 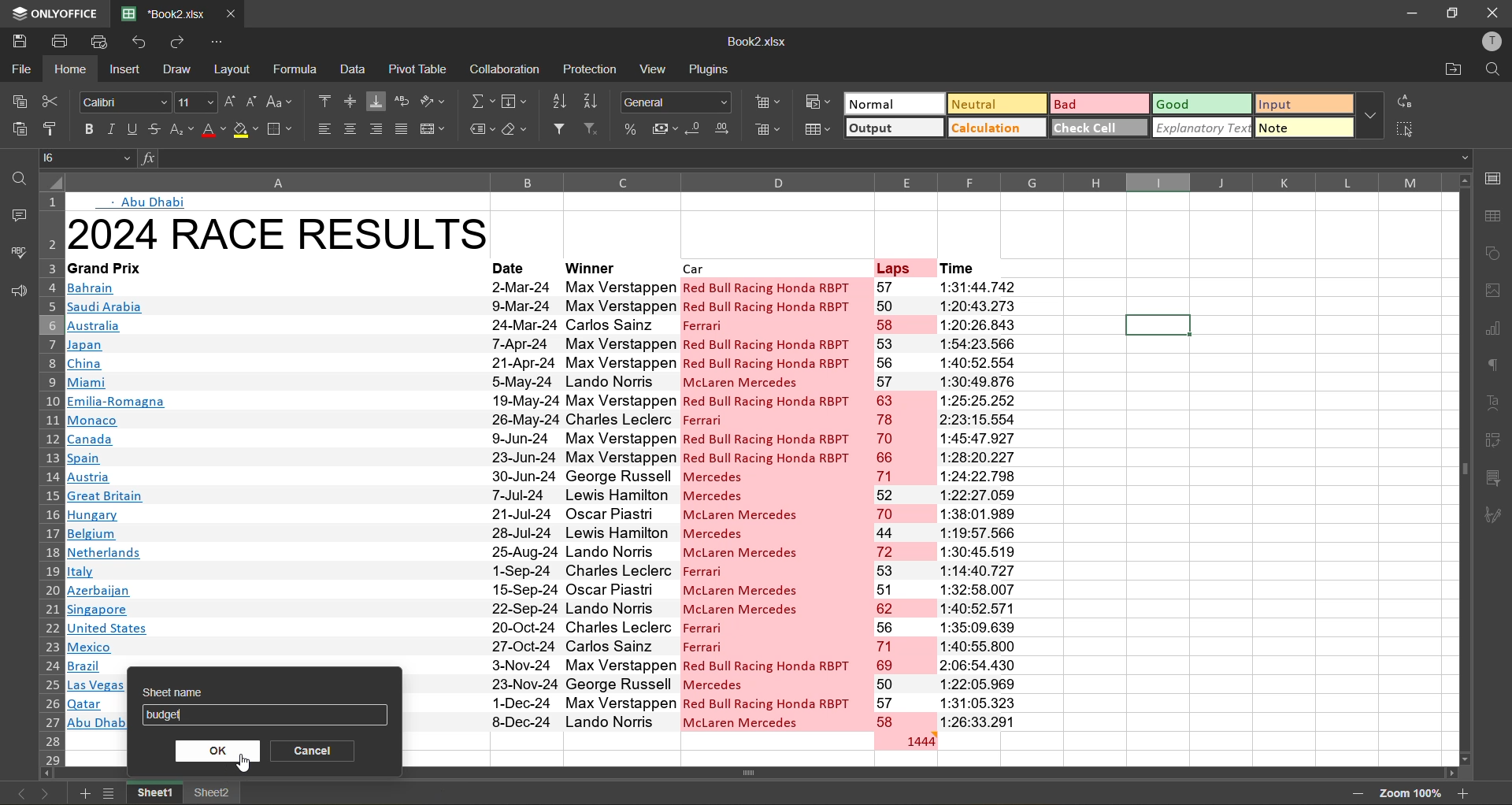 What do you see at coordinates (768, 130) in the screenshot?
I see `delete cells` at bounding box center [768, 130].